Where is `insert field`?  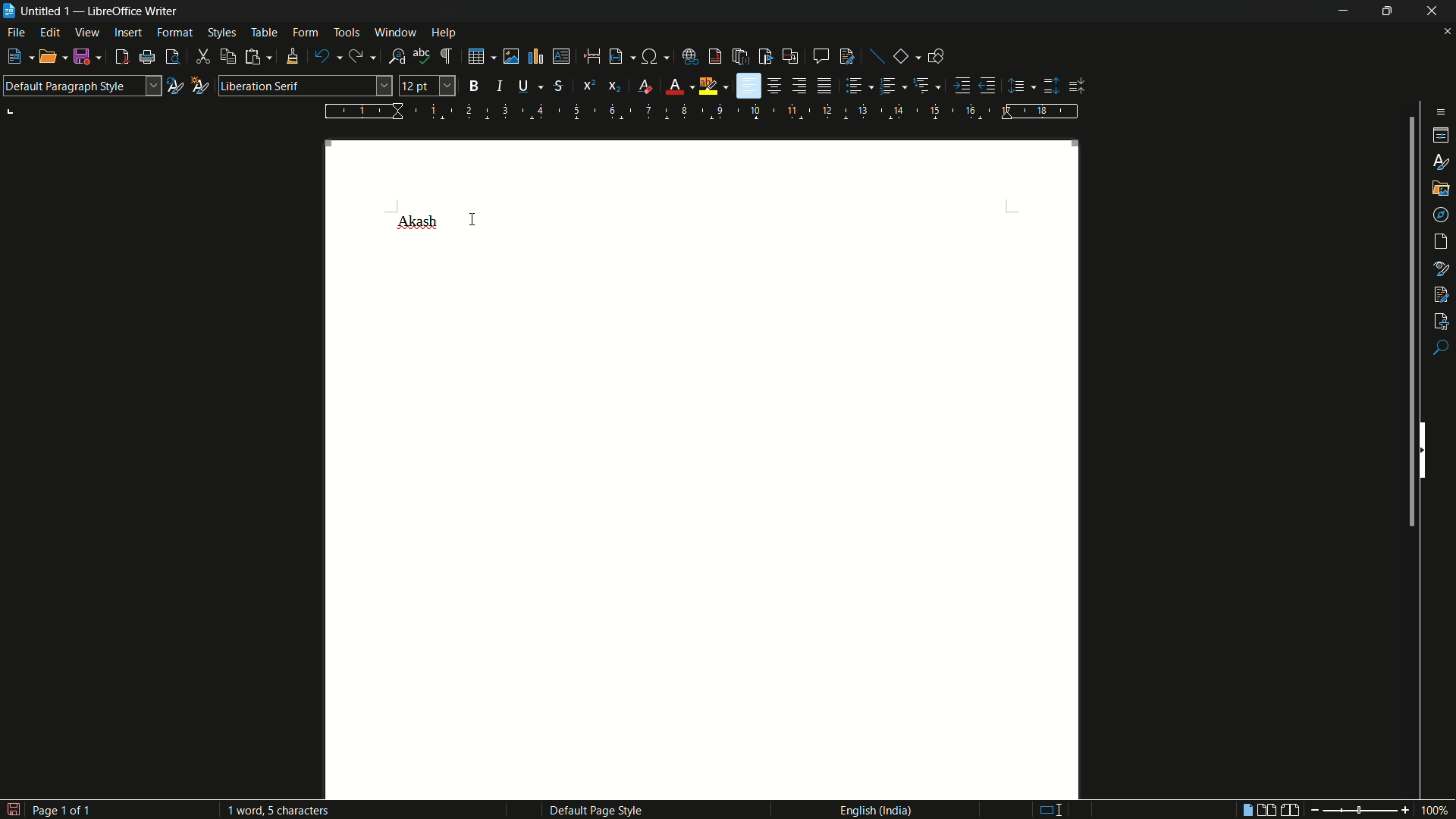 insert field is located at coordinates (615, 57).